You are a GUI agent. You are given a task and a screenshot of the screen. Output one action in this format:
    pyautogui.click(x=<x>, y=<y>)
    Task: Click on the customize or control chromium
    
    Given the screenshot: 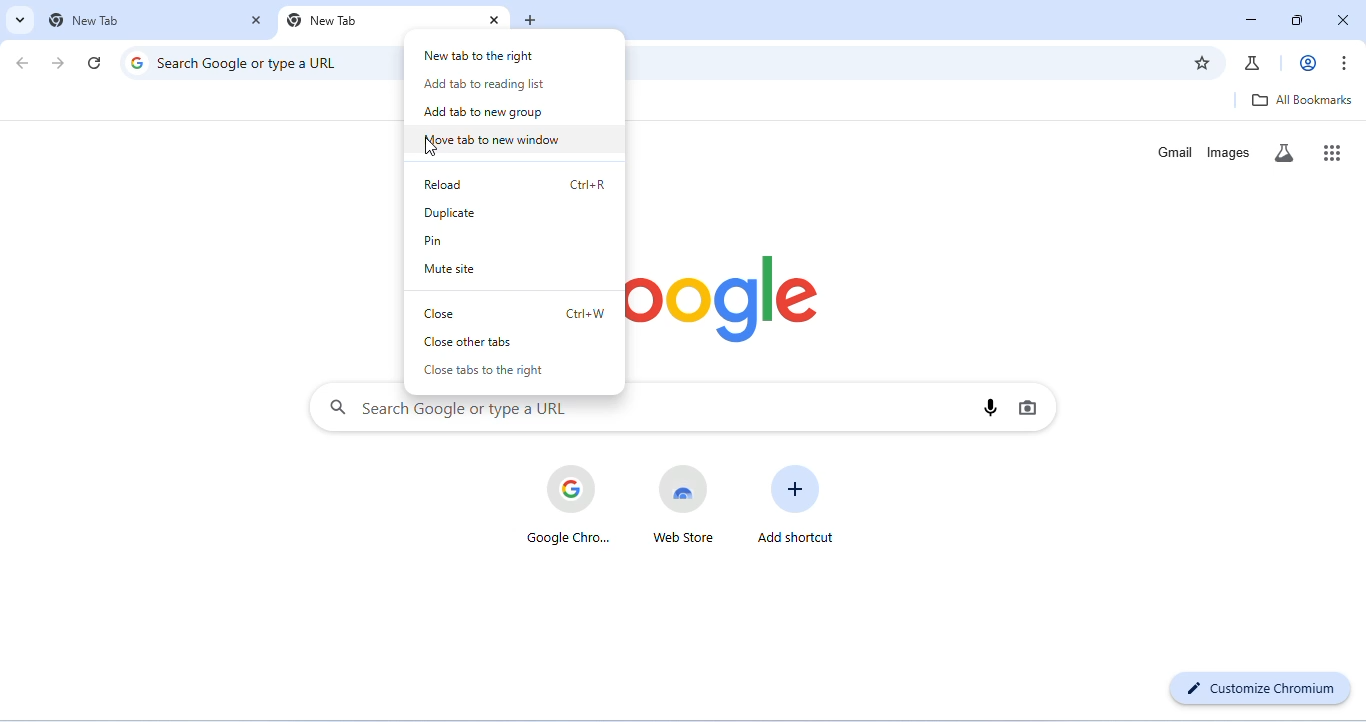 What is the action you would take?
    pyautogui.click(x=1346, y=62)
    